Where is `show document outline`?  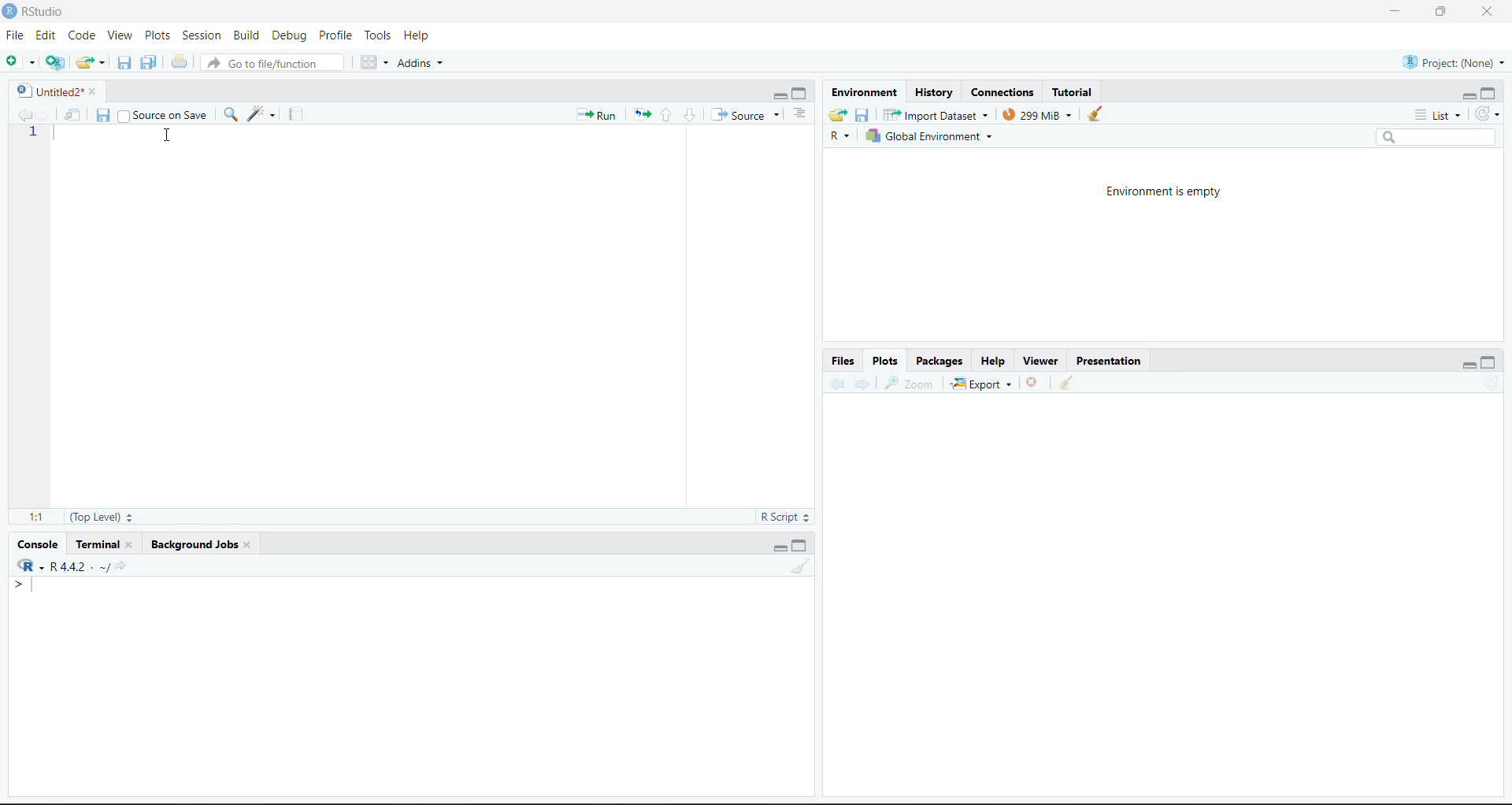 show document outline is located at coordinates (802, 113).